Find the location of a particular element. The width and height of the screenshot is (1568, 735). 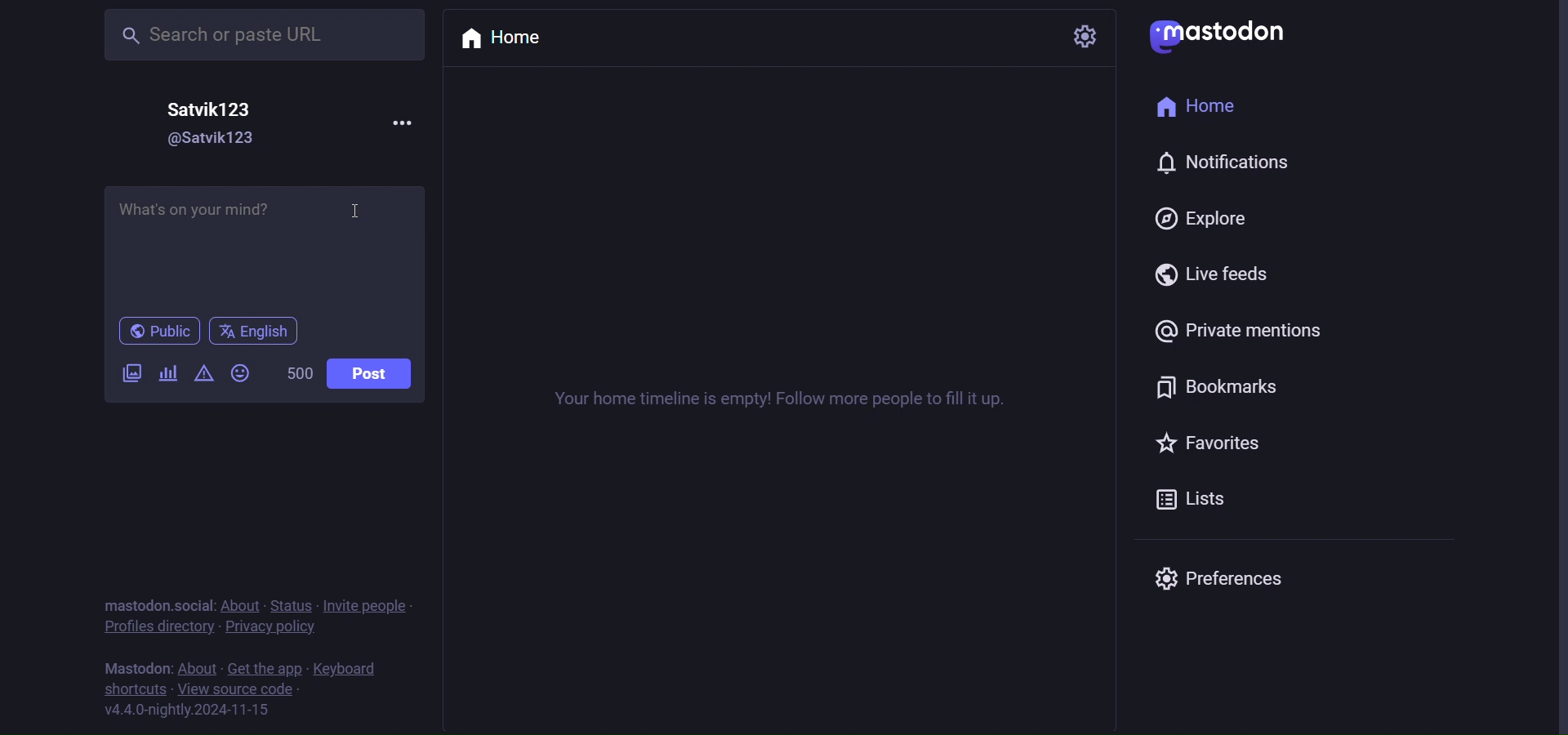

privacy policy is located at coordinates (273, 630).